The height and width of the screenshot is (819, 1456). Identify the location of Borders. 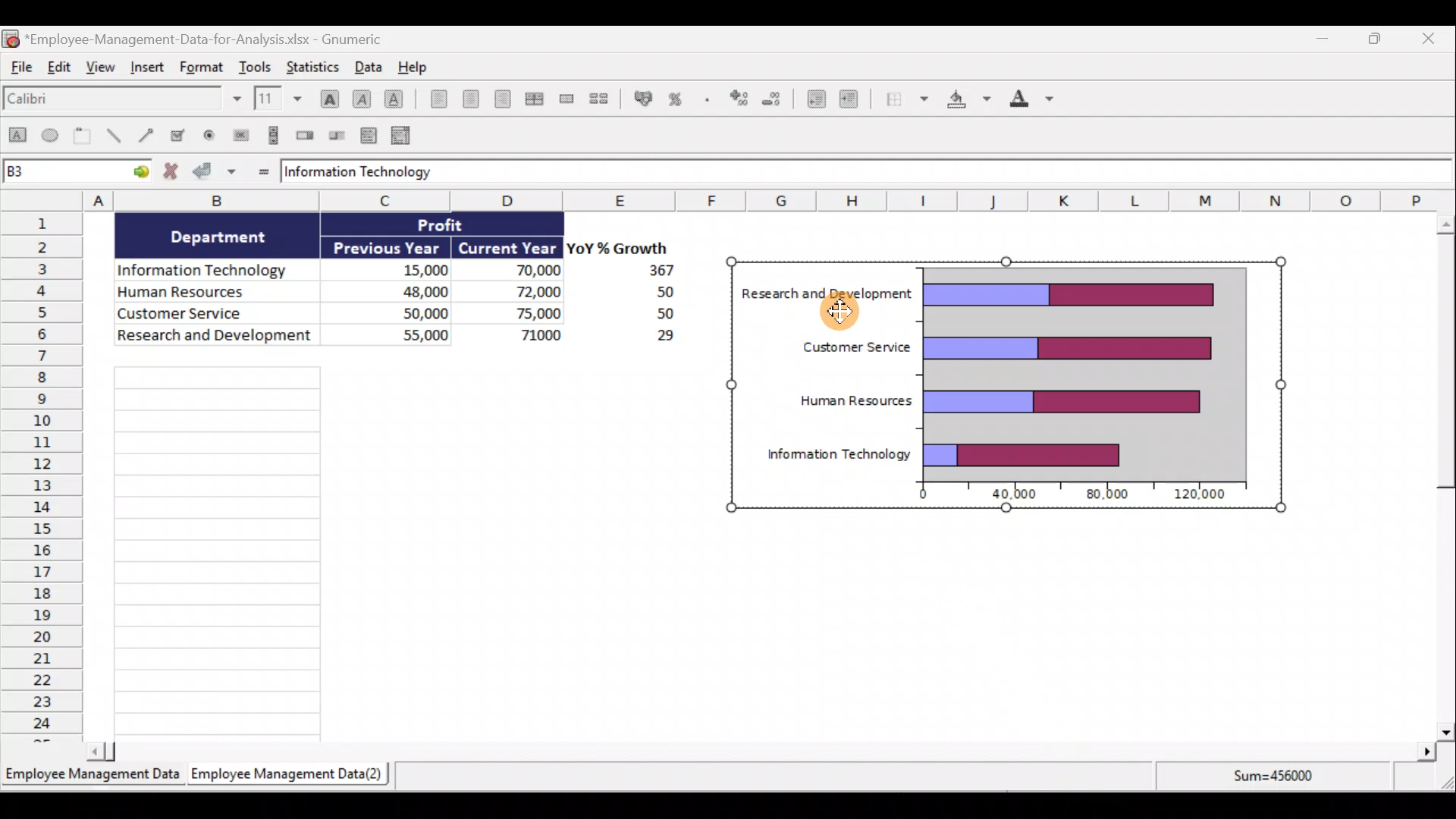
(906, 102).